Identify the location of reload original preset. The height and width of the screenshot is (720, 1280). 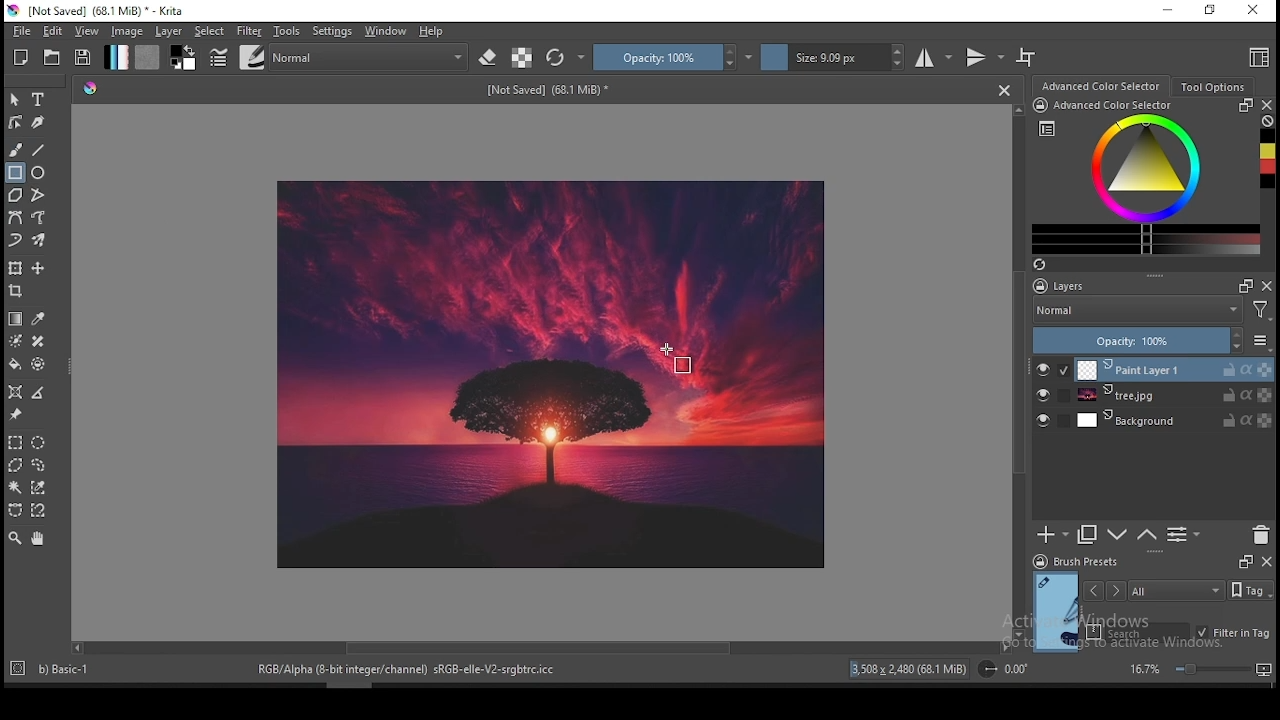
(566, 58).